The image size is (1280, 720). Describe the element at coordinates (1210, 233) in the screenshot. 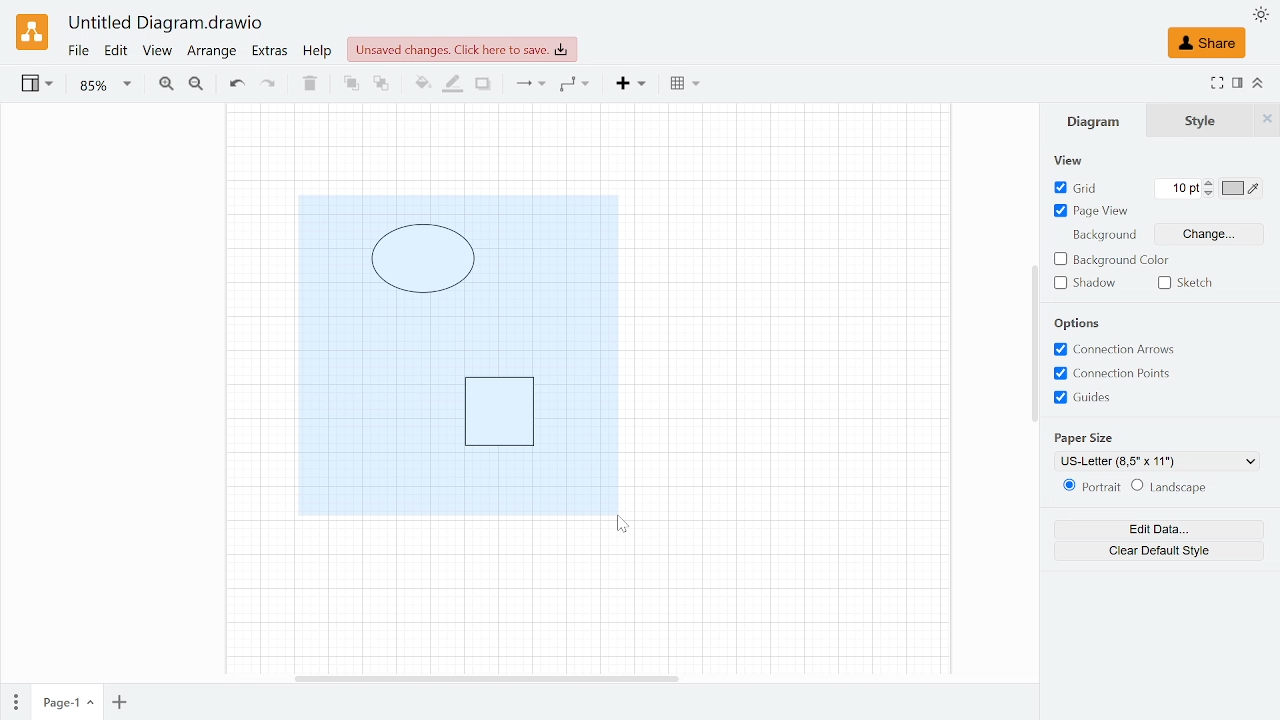

I see `Change` at that location.